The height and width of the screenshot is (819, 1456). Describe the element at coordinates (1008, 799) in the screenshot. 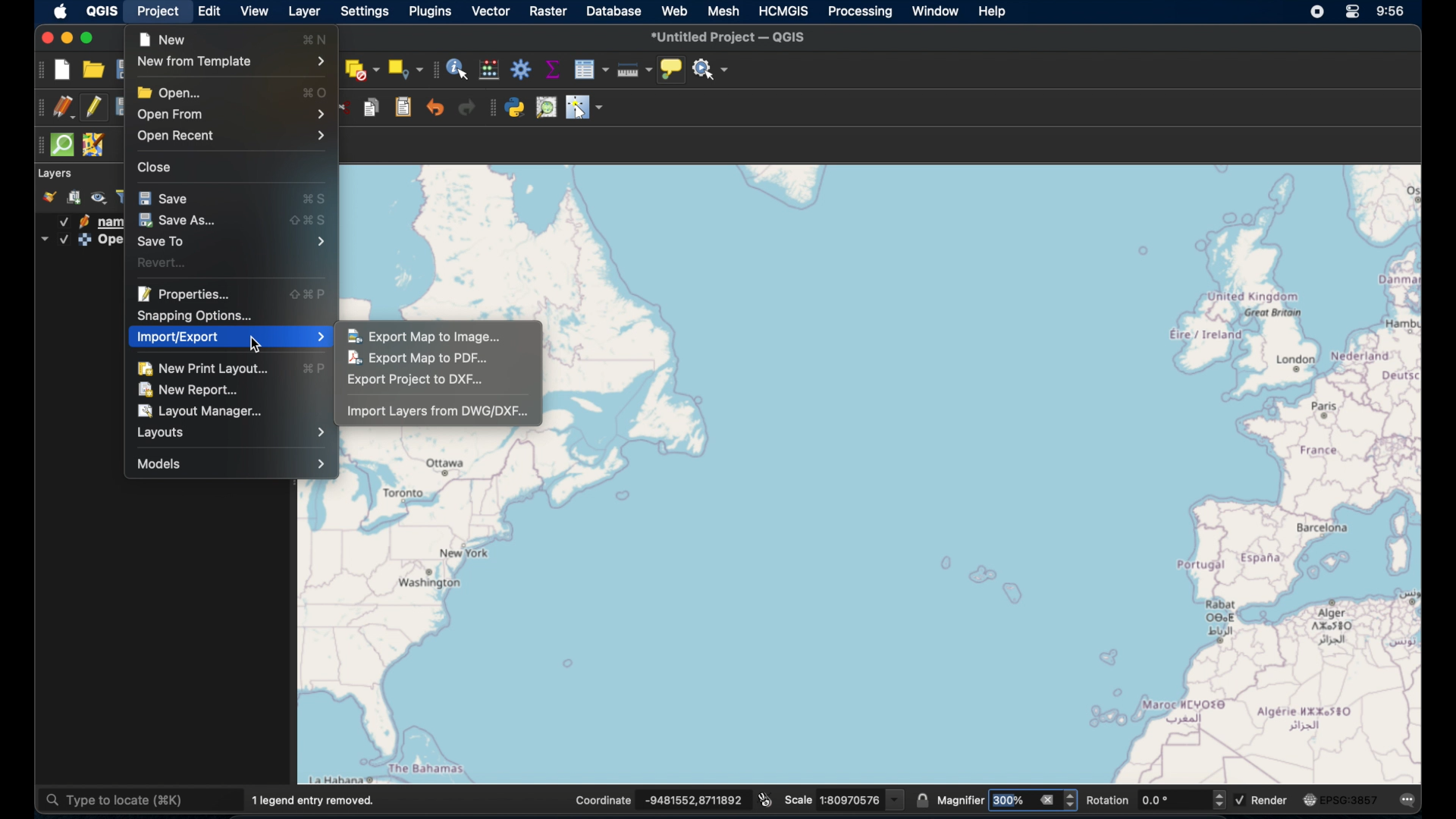

I see `magnifier` at that location.